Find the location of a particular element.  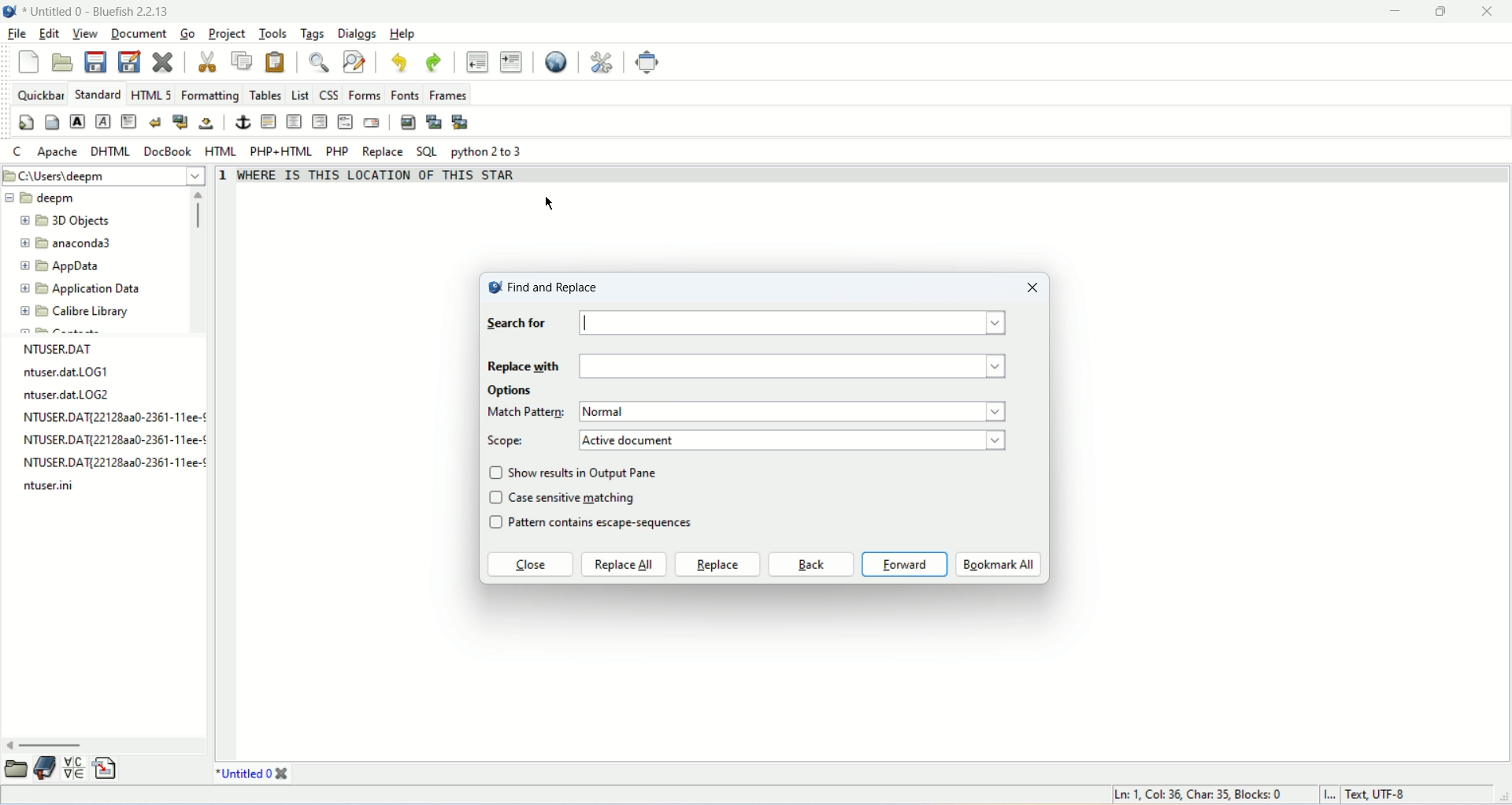

quickbar is located at coordinates (39, 95).